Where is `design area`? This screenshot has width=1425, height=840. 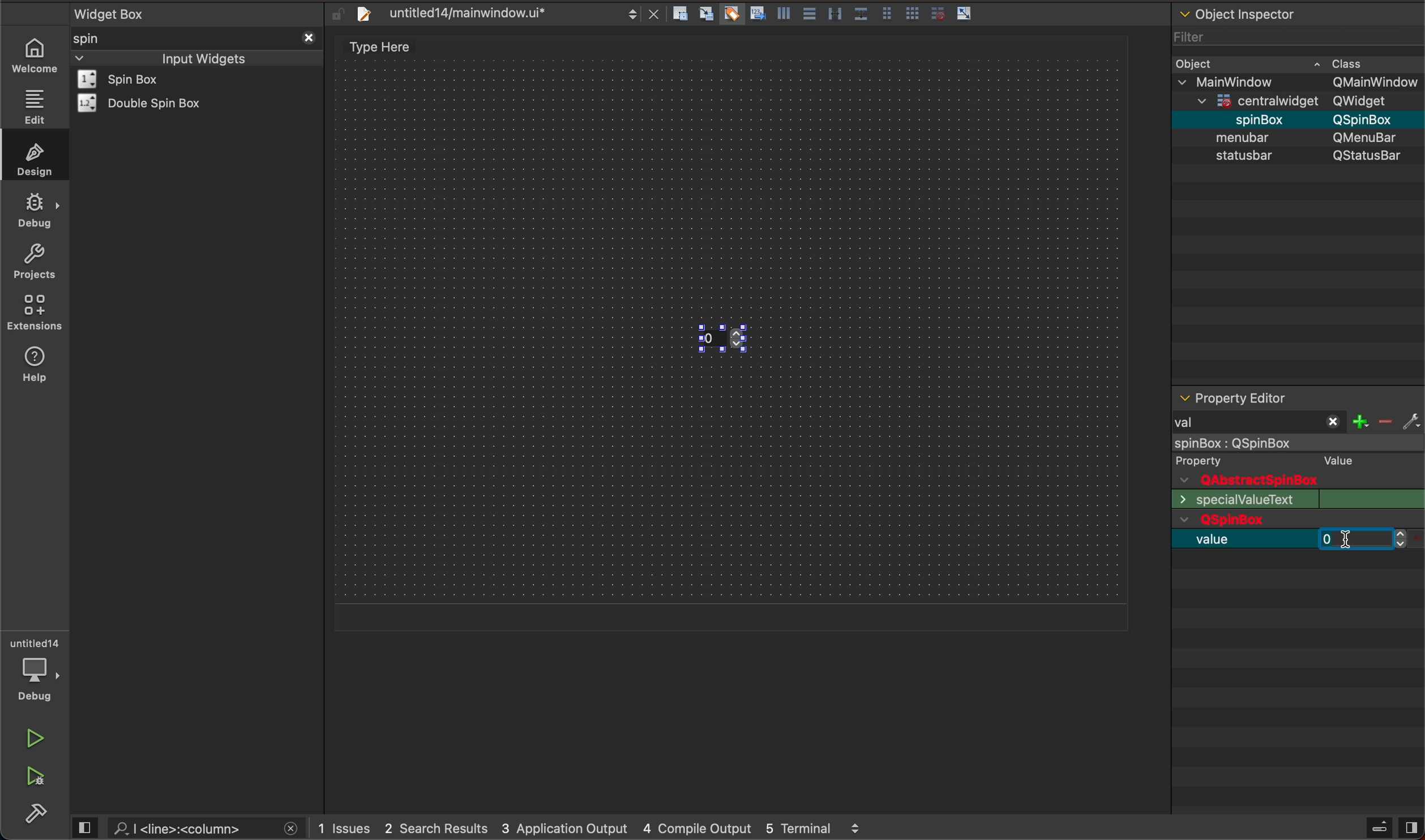 design area is located at coordinates (387, 47).